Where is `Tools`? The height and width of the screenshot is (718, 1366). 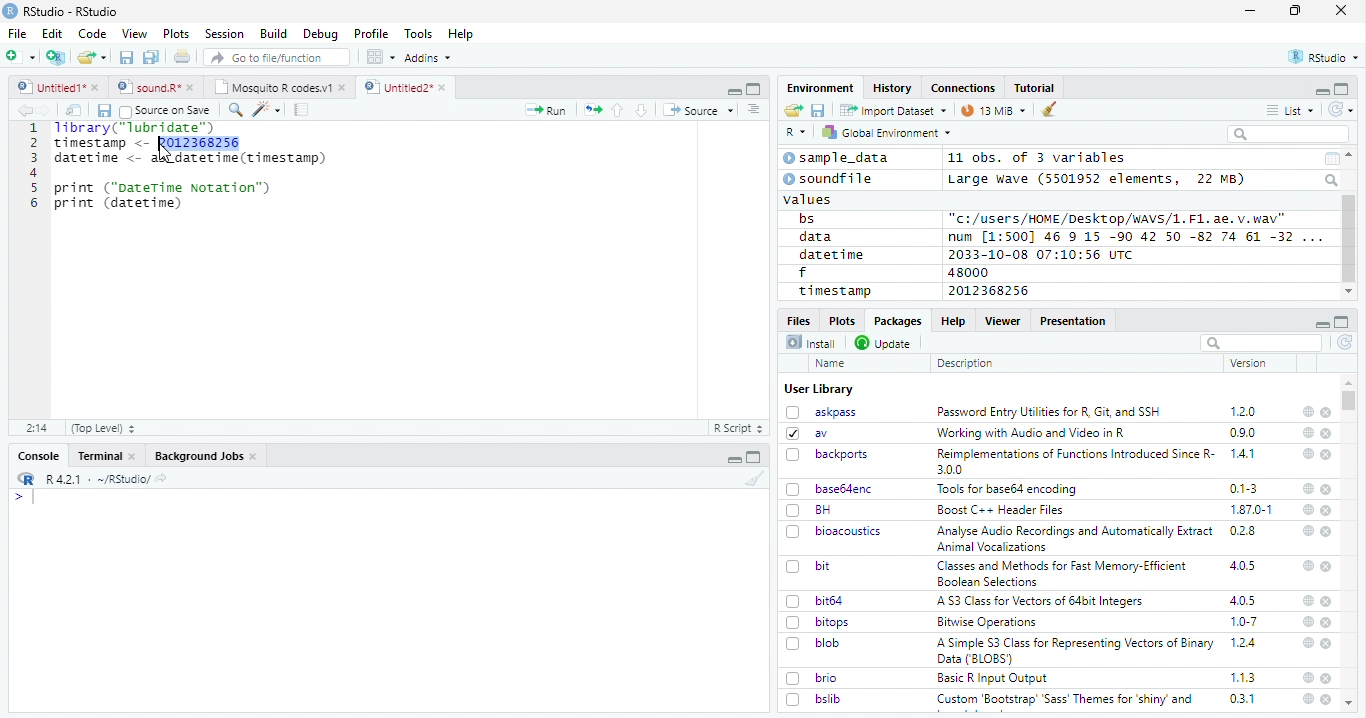
Tools is located at coordinates (417, 34).